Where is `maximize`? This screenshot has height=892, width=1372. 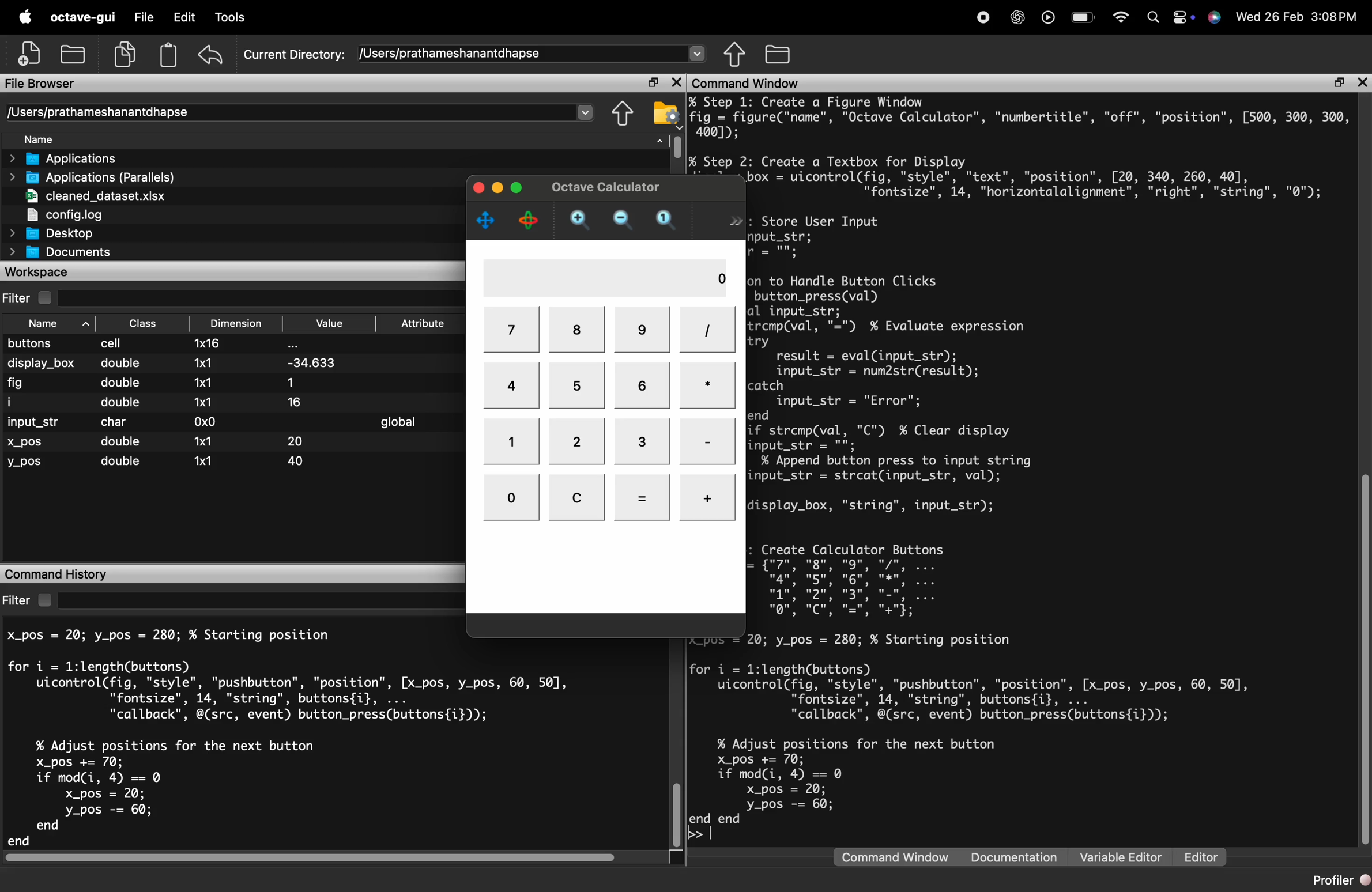
maximize is located at coordinates (519, 188).